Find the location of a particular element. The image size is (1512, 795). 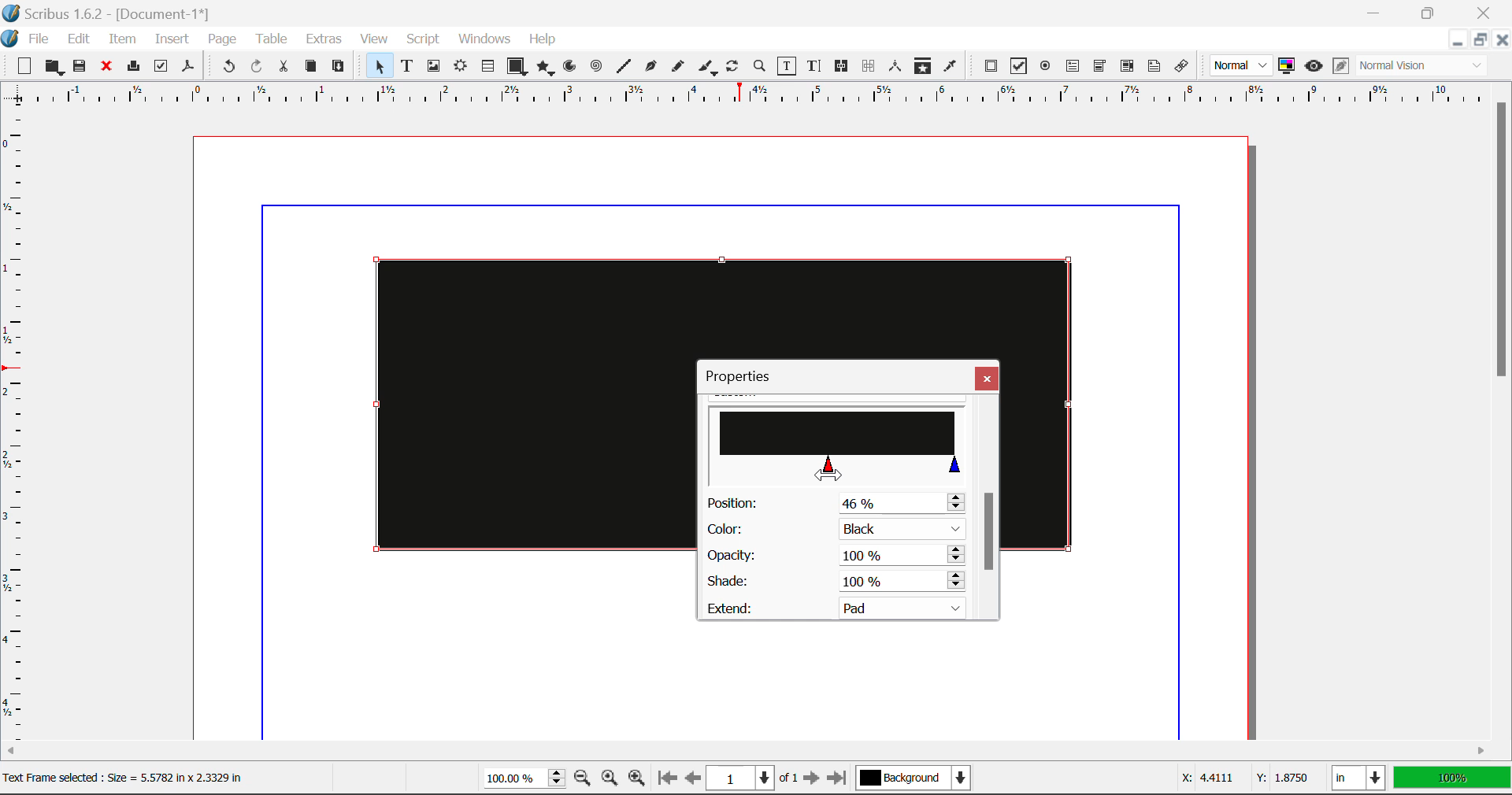

Copy is located at coordinates (312, 66).